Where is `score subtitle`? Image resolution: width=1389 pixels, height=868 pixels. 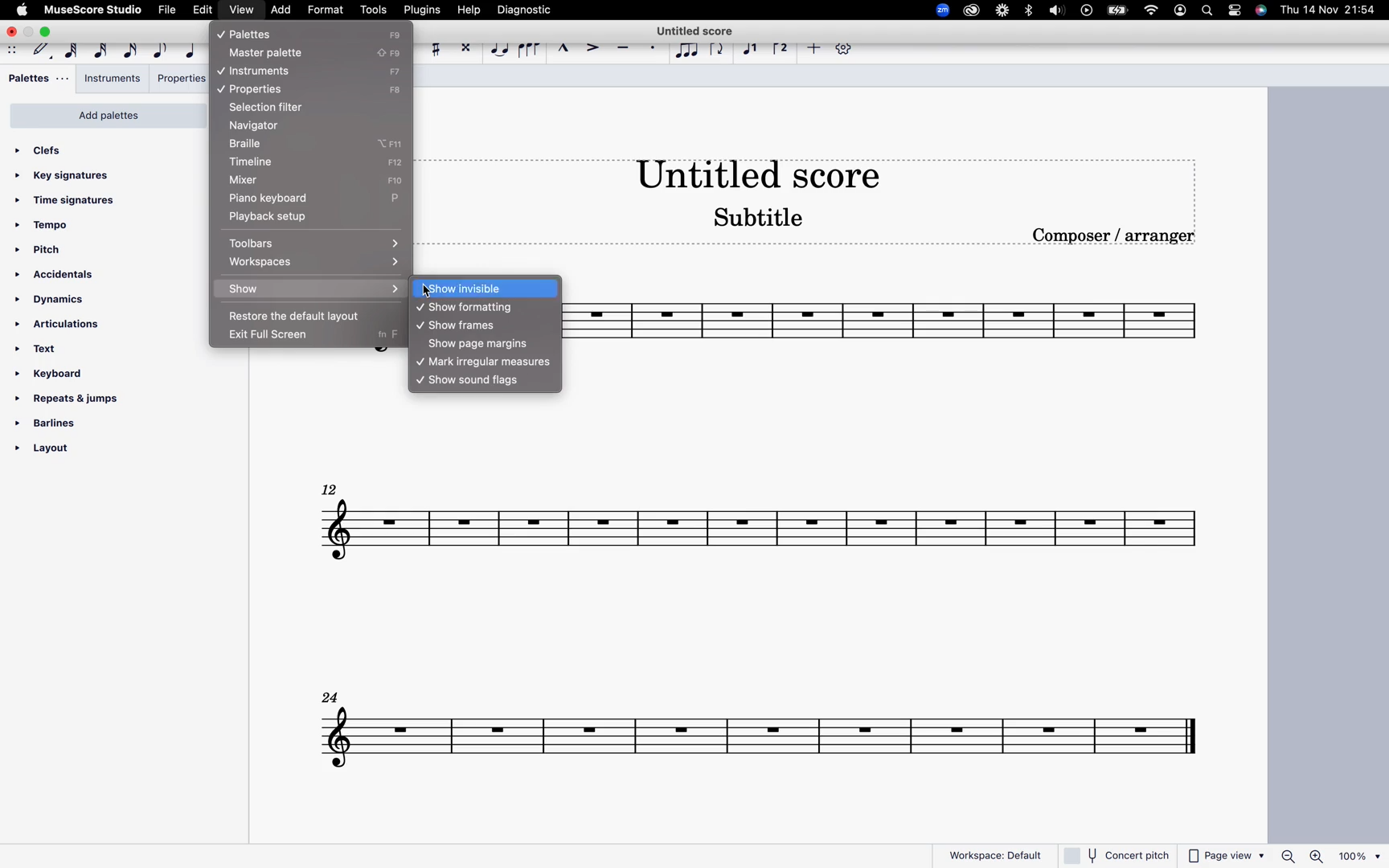
score subtitle is located at coordinates (754, 219).